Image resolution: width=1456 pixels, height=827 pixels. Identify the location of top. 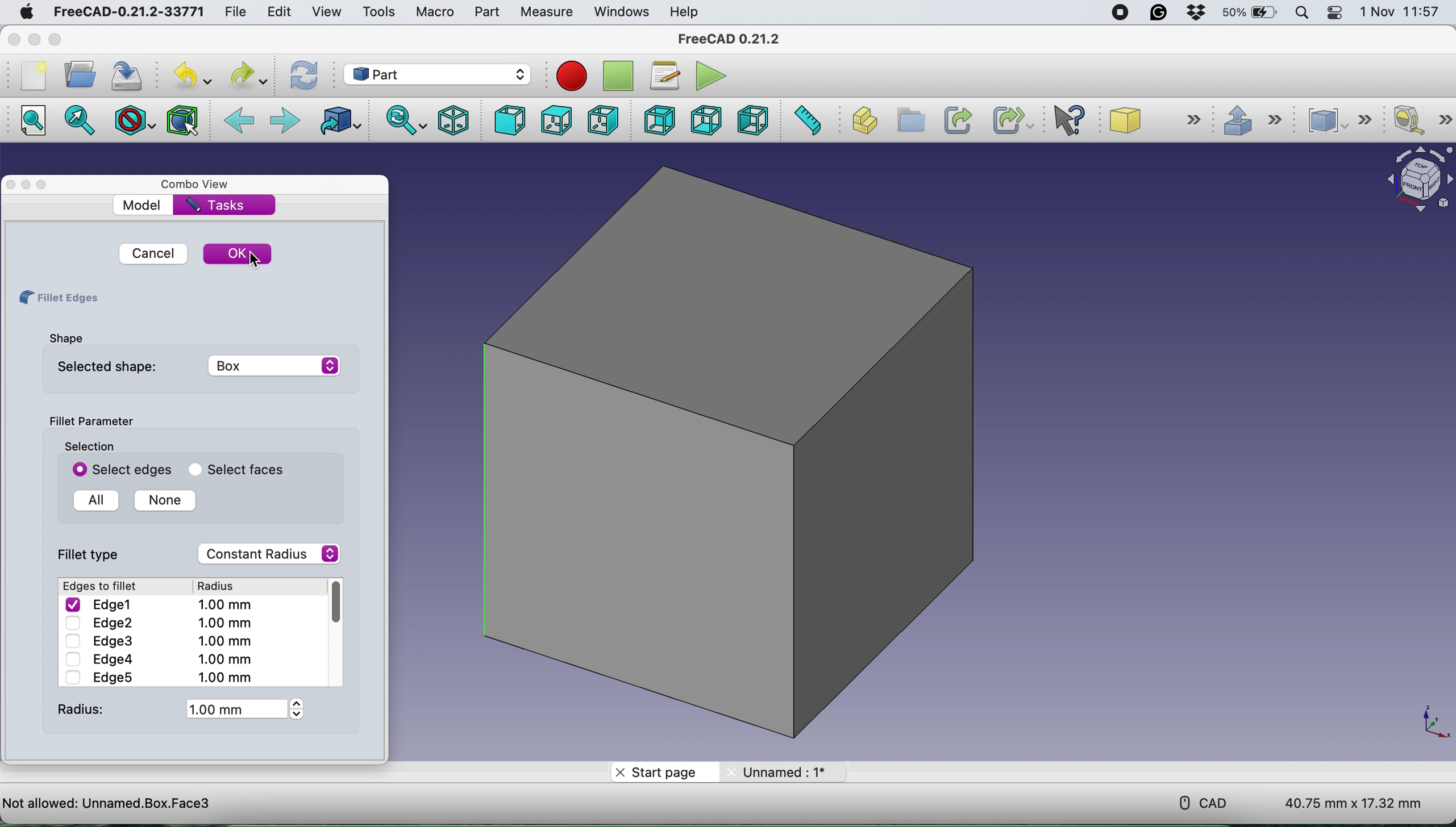
(555, 120).